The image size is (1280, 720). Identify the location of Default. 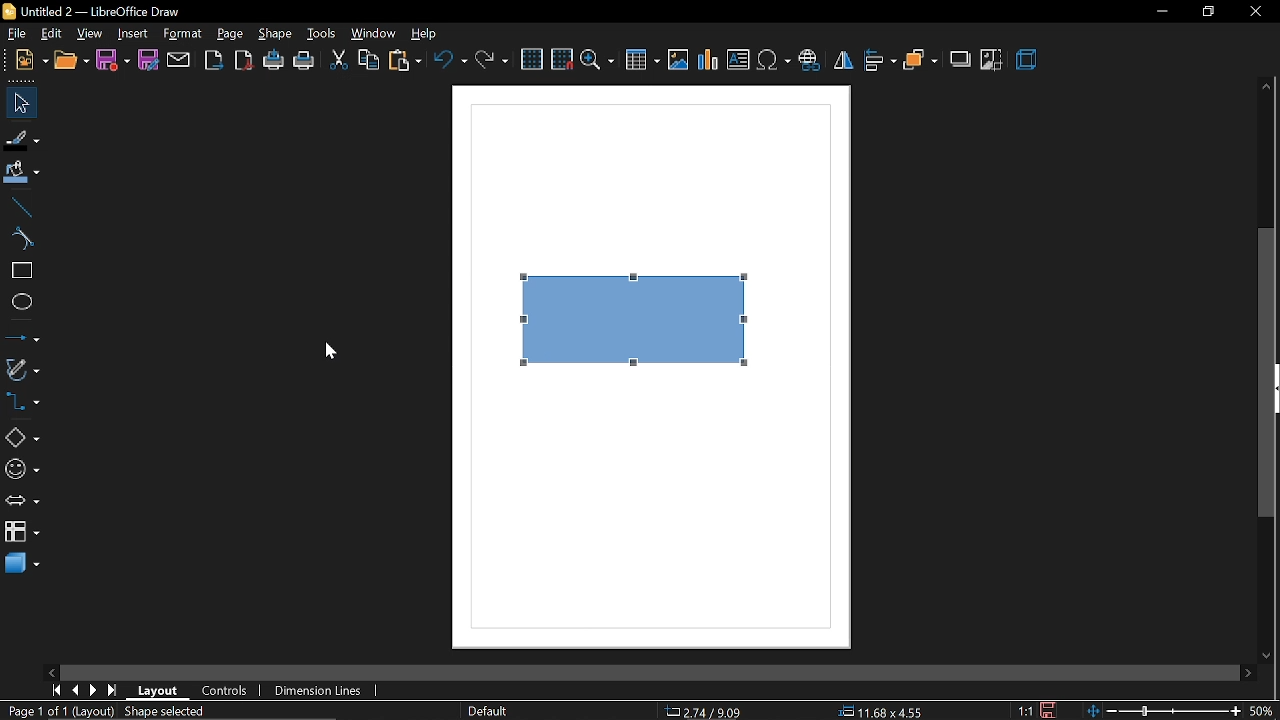
(486, 712).